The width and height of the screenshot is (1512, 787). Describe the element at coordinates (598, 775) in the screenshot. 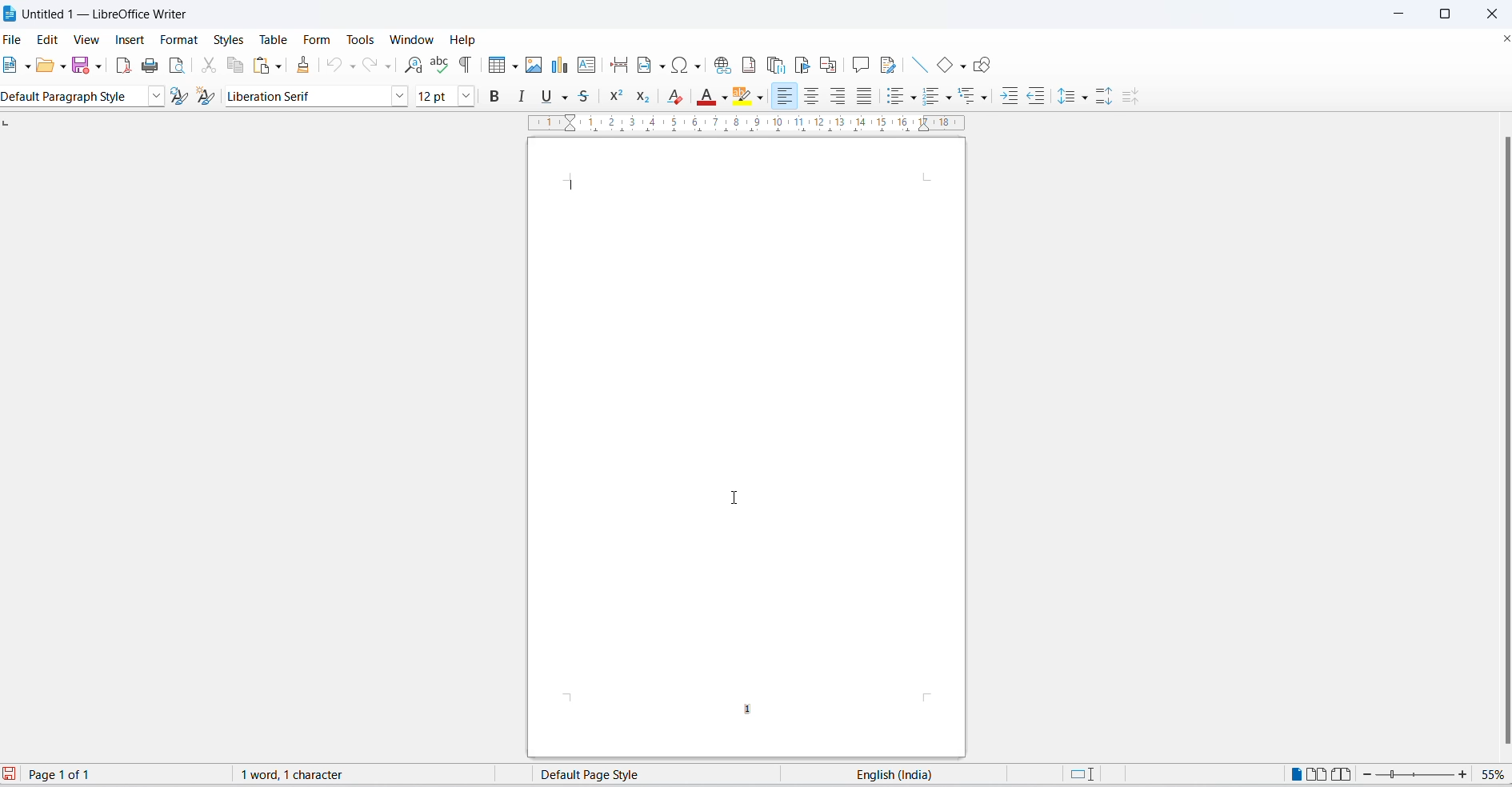

I see `default page style` at that location.